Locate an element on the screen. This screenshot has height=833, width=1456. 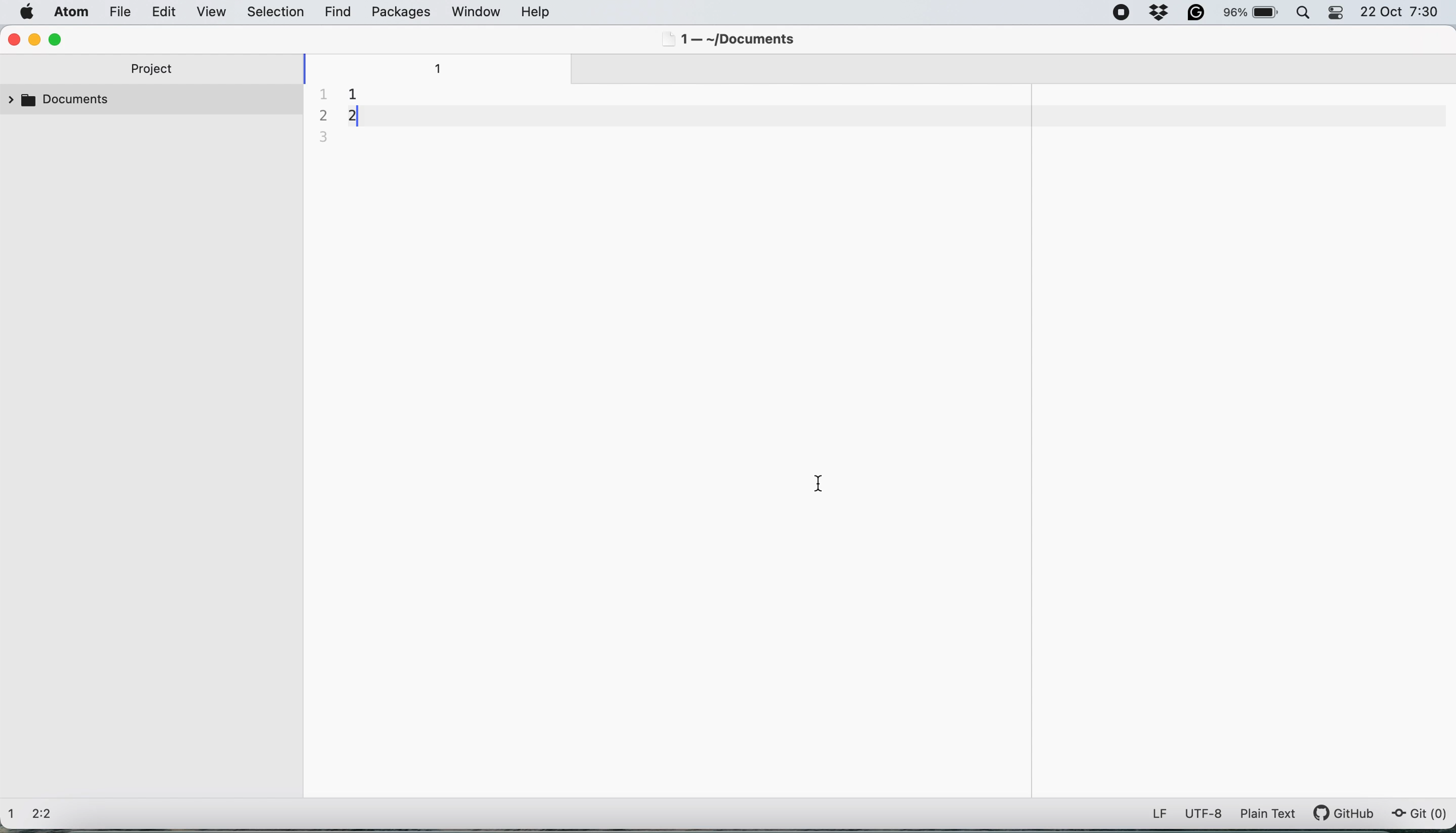
packages is located at coordinates (401, 13).